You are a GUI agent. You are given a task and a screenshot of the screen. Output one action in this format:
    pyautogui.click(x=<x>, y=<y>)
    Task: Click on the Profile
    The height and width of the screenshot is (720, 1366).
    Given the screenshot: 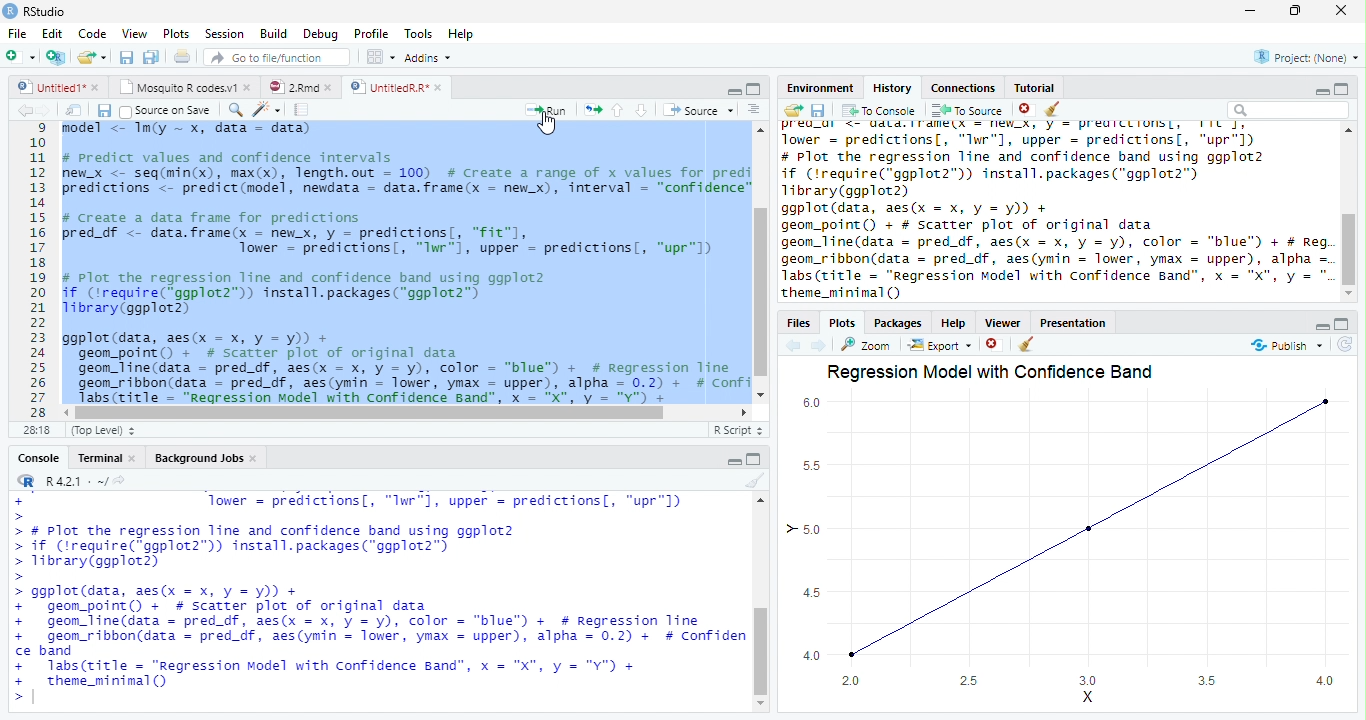 What is the action you would take?
    pyautogui.click(x=372, y=34)
    